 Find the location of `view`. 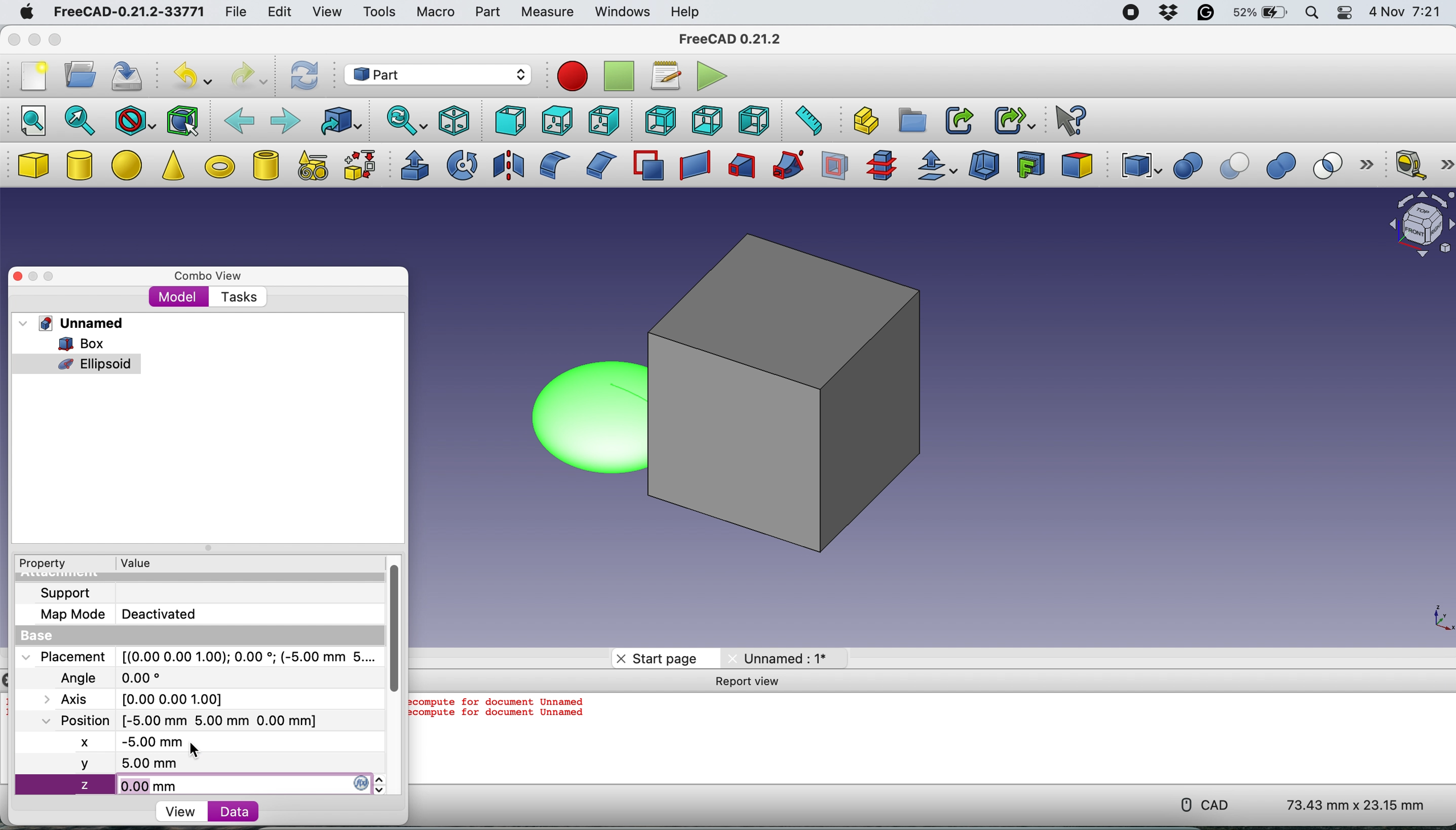

view is located at coordinates (184, 811).